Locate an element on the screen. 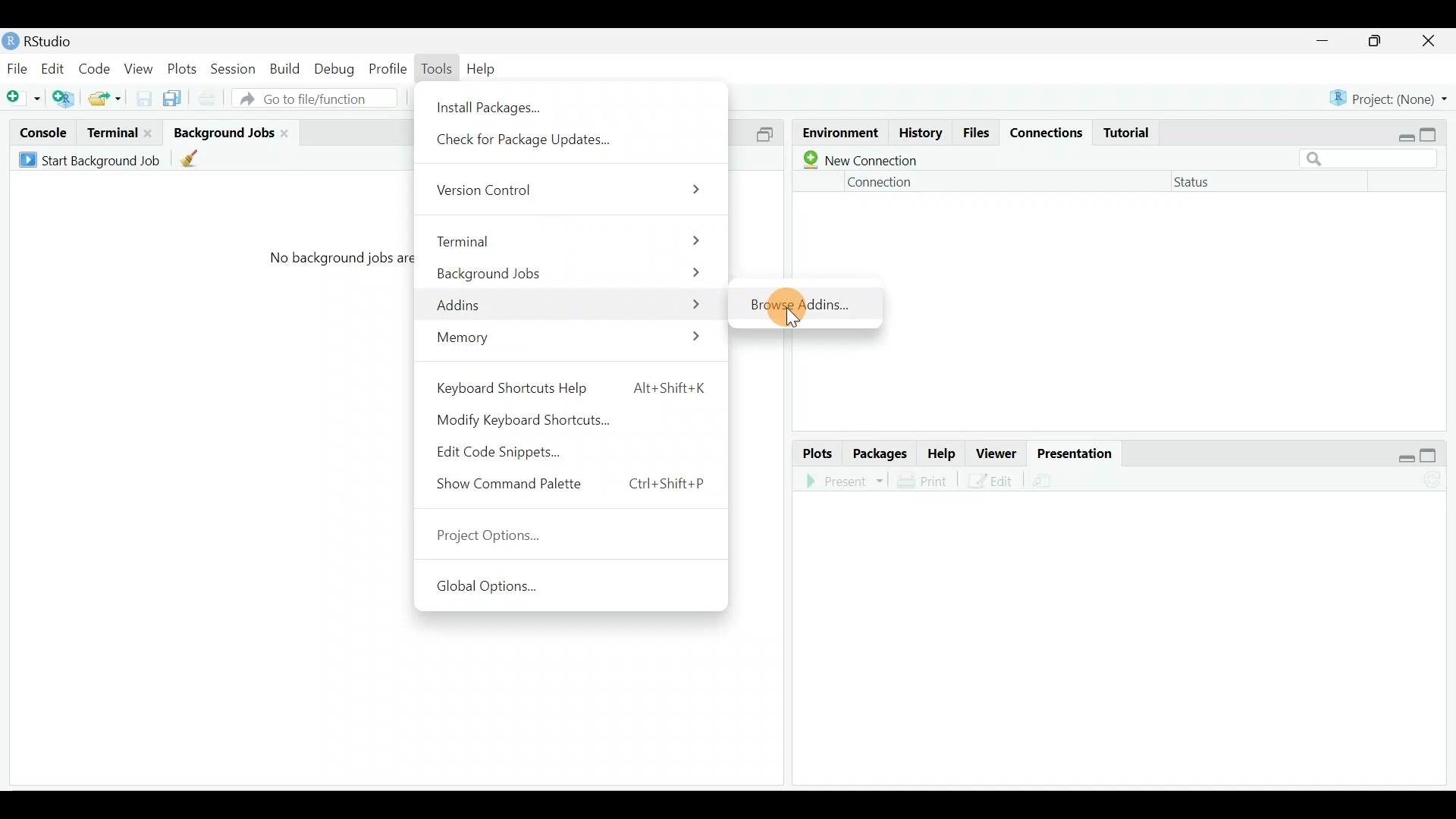 This screenshot has width=1456, height=819. Status is located at coordinates (1203, 184).